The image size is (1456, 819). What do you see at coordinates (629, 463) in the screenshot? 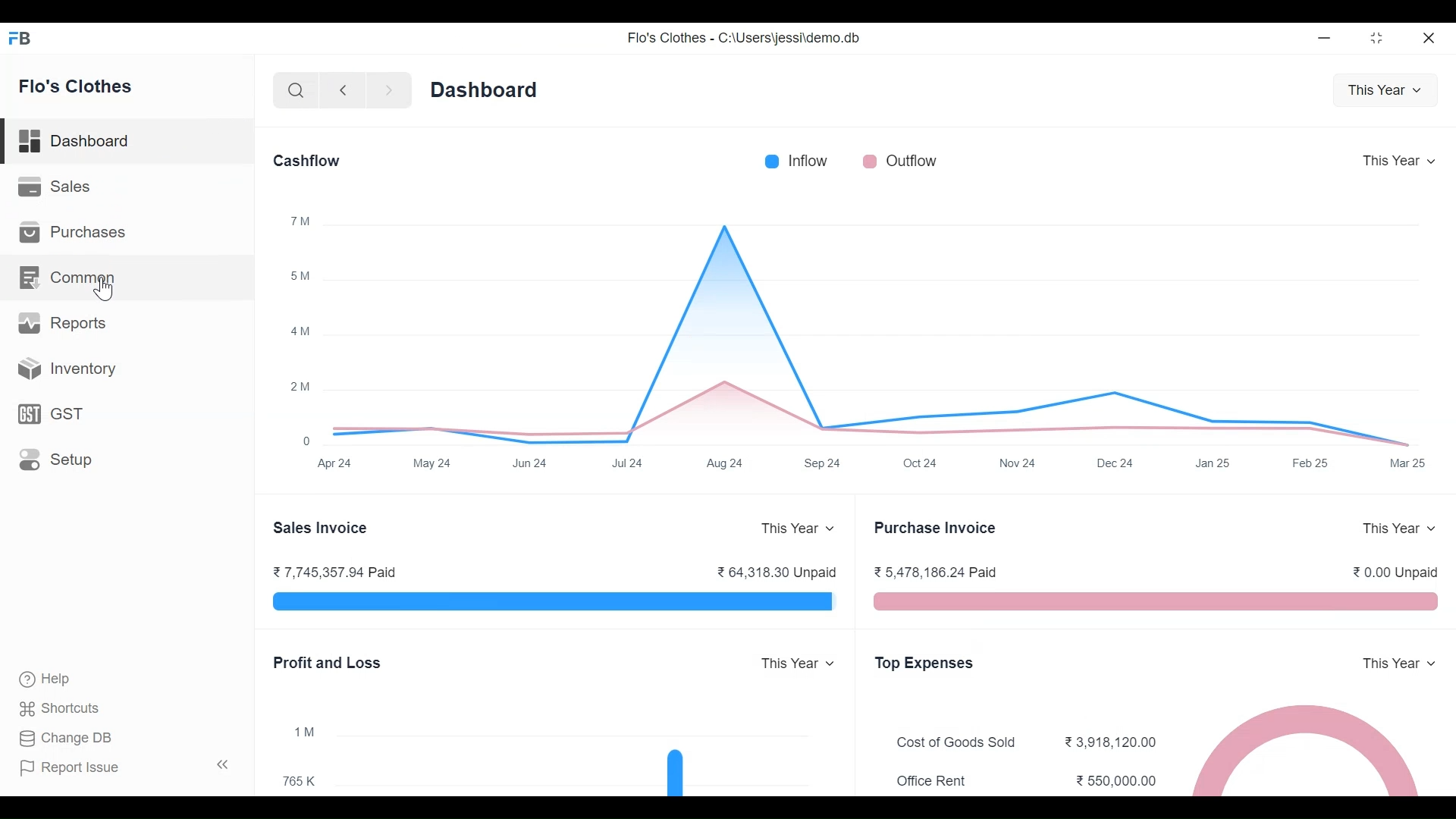
I see `Jul 24` at bounding box center [629, 463].